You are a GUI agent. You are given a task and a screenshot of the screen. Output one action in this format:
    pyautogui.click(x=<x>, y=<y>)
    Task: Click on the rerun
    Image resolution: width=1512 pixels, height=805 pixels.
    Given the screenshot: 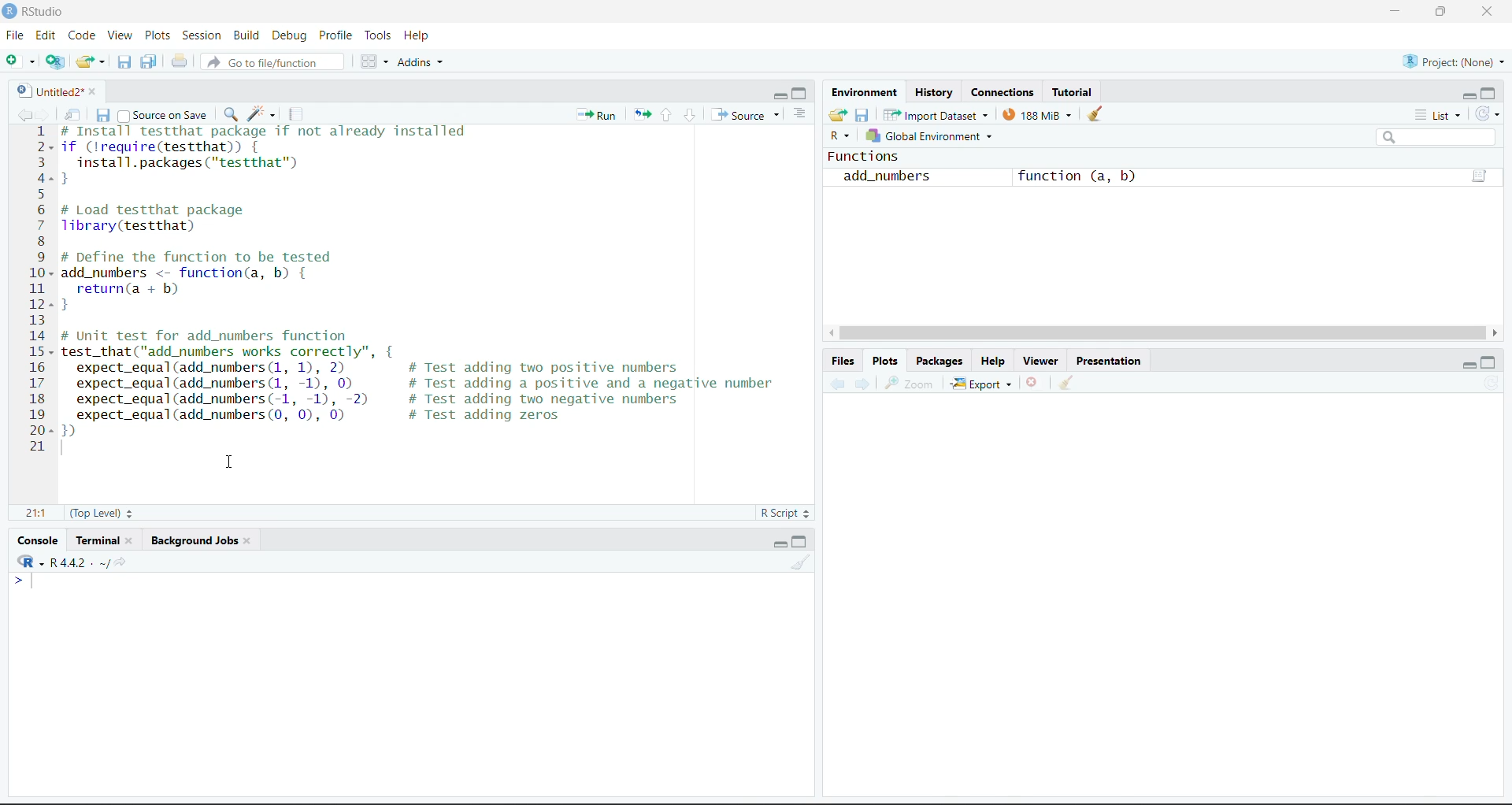 What is the action you would take?
    pyautogui.click(x=642, y=115)
    